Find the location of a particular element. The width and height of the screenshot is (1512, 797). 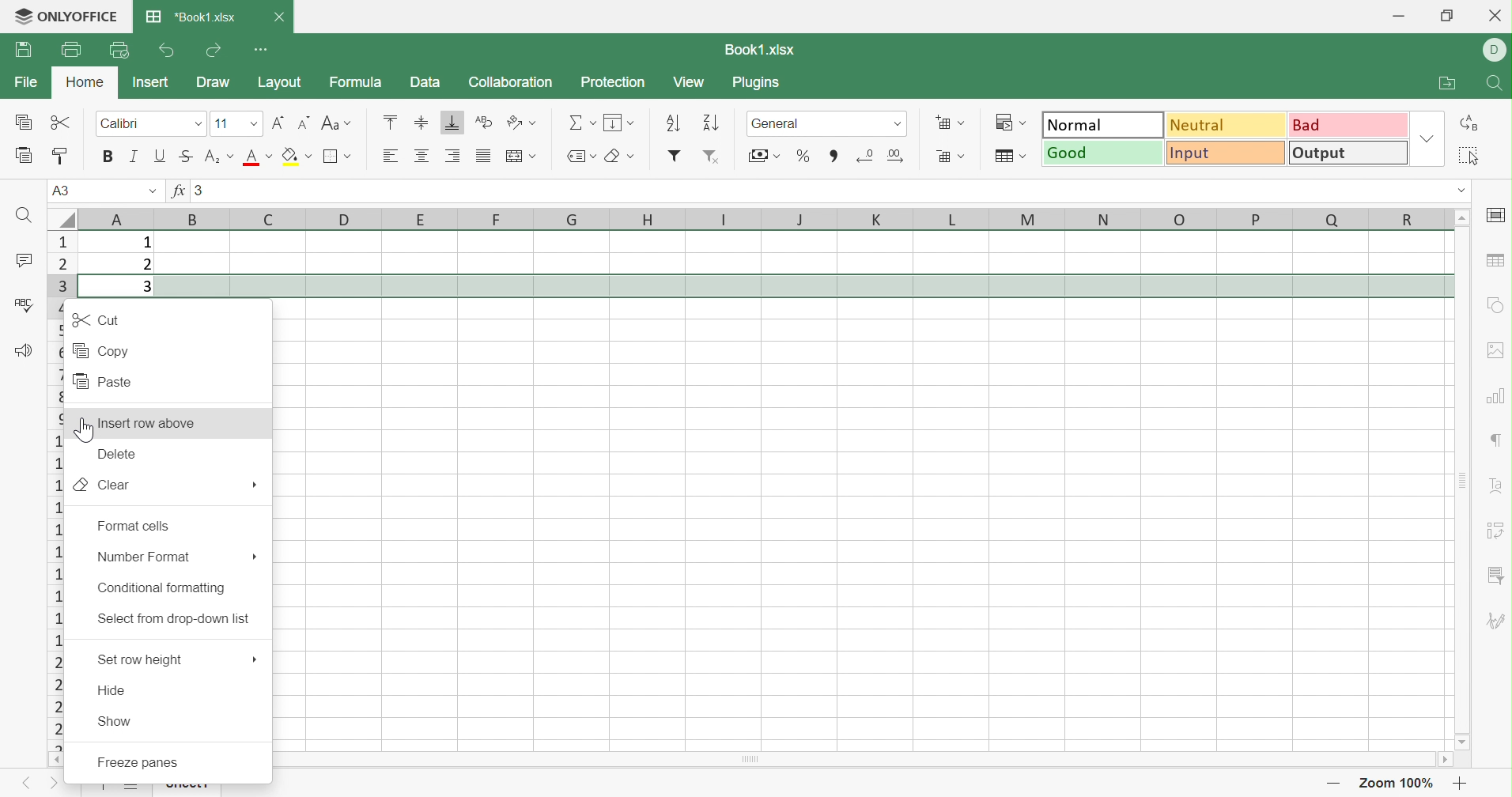

Set row height is located at coordinates (135, 659).